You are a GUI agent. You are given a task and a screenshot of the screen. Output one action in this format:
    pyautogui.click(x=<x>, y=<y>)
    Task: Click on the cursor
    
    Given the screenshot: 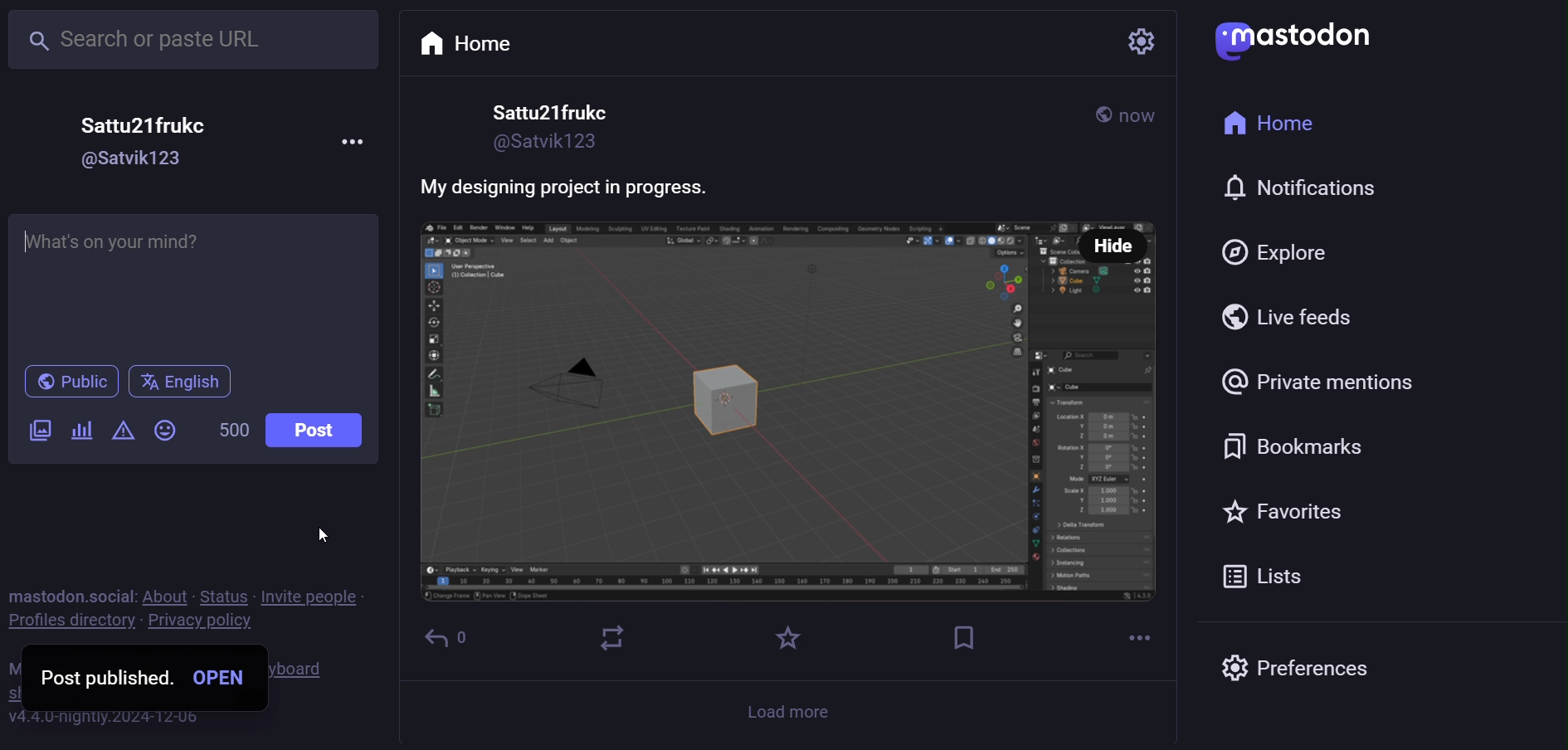 What is the action you would take?
    pyautogui.click(x=322, y=541)
    